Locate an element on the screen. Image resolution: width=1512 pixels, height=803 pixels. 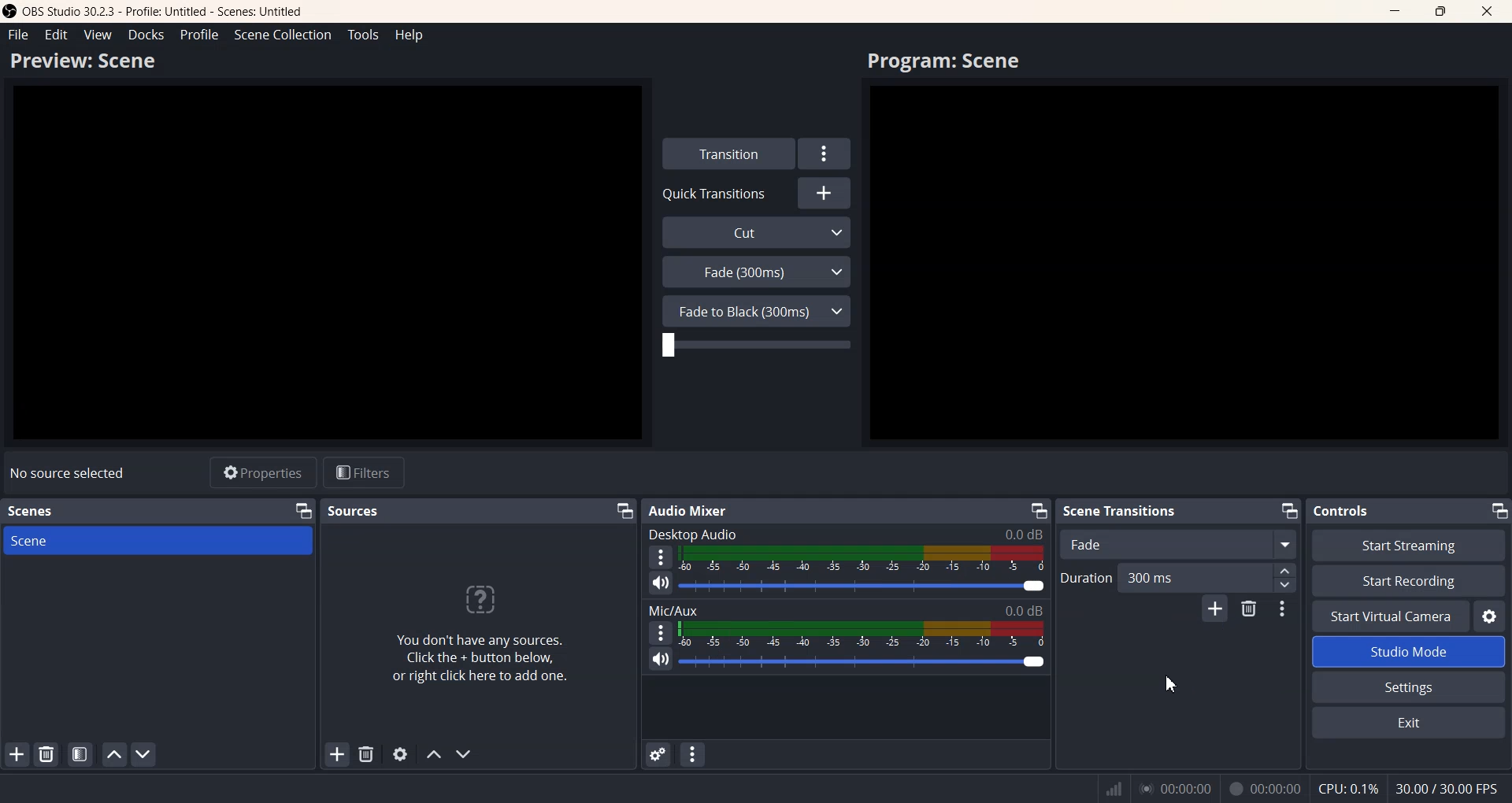
Volume adjuster is located at coordinates (865, 587).